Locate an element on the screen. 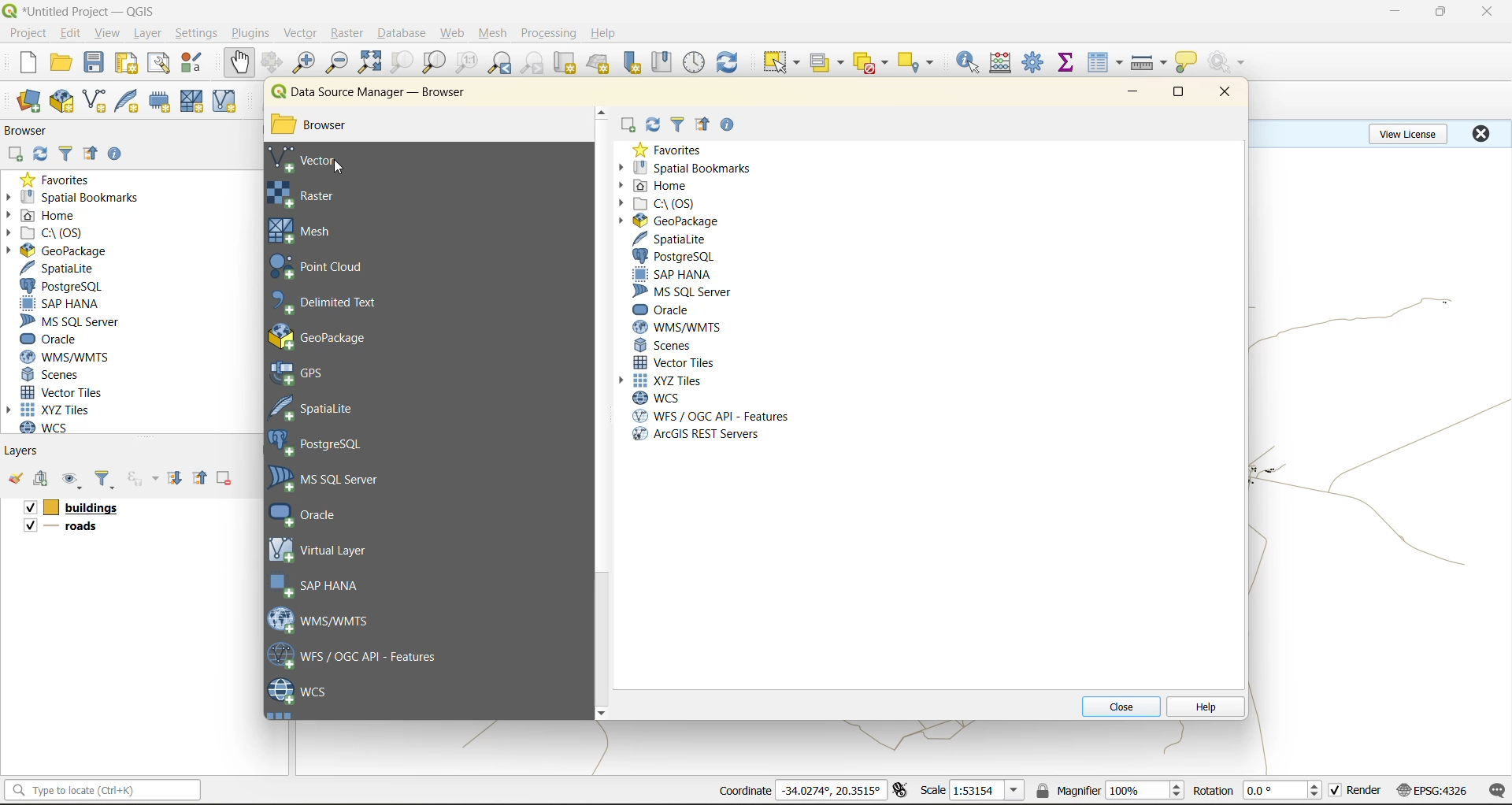  home is located at coordinates (654, 187).